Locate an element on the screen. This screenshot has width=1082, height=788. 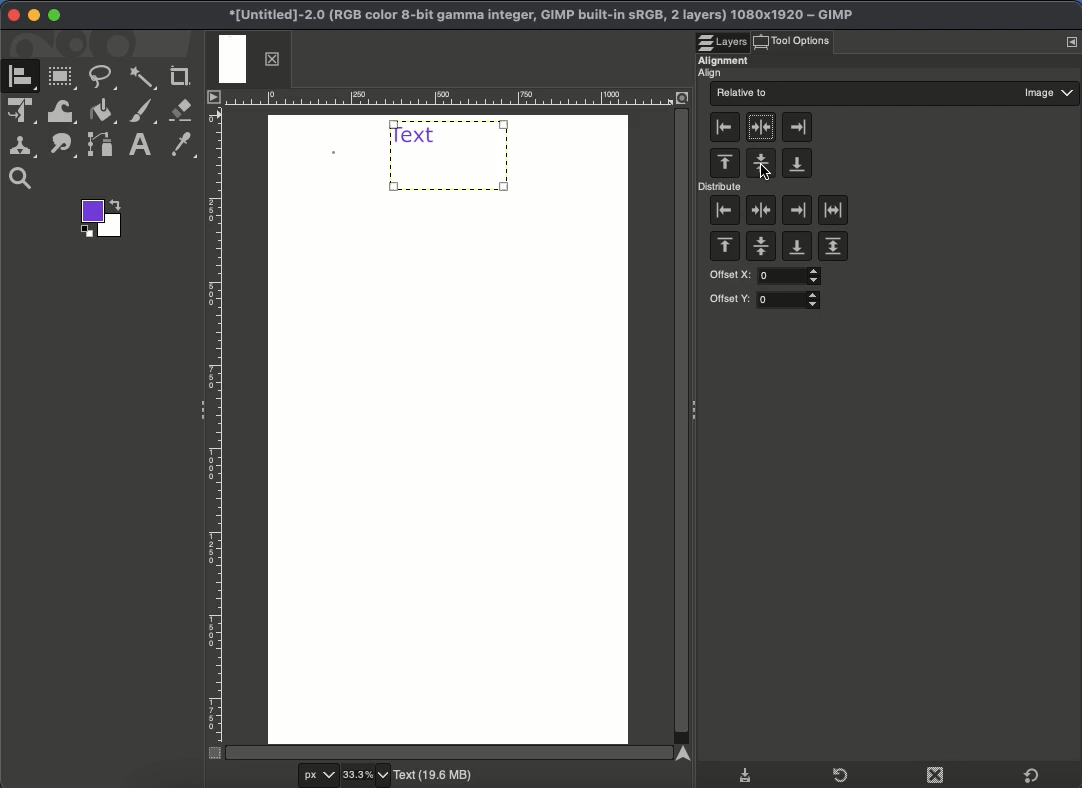
Distribute horizontal centers is located at coordinates (761, 212).